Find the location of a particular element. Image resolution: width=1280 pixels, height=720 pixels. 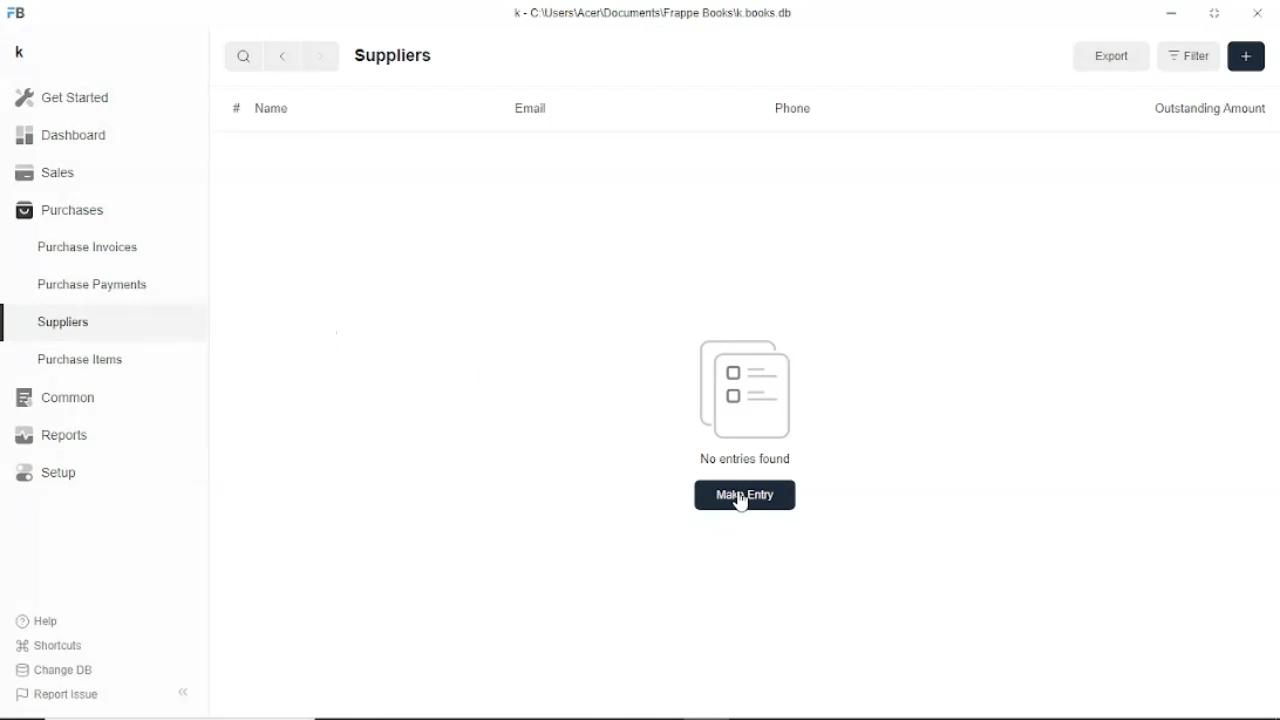

Email is located at coordinates (530, 107).